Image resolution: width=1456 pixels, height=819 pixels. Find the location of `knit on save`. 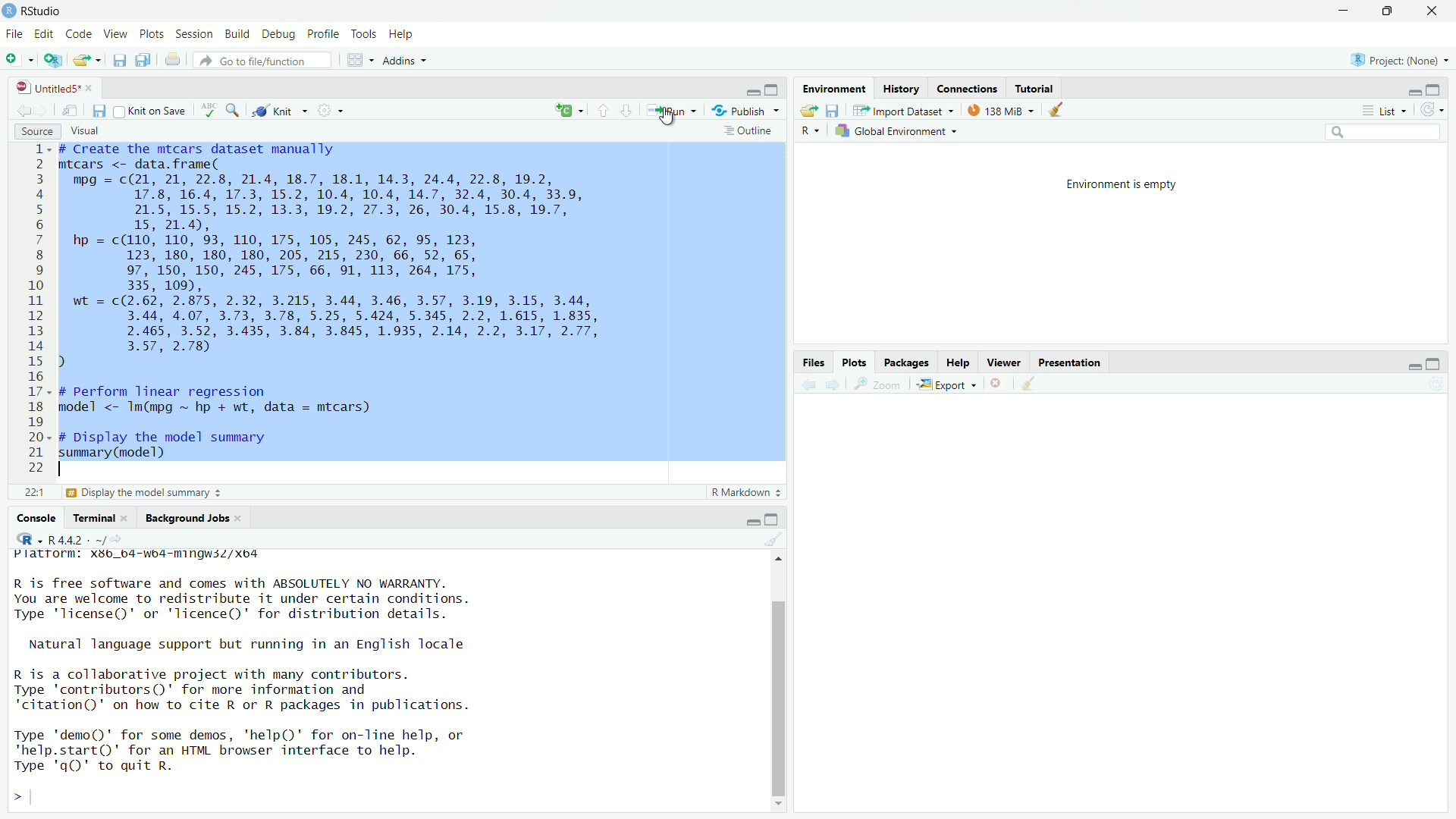

knit on save is located at coordinates (149, 111).